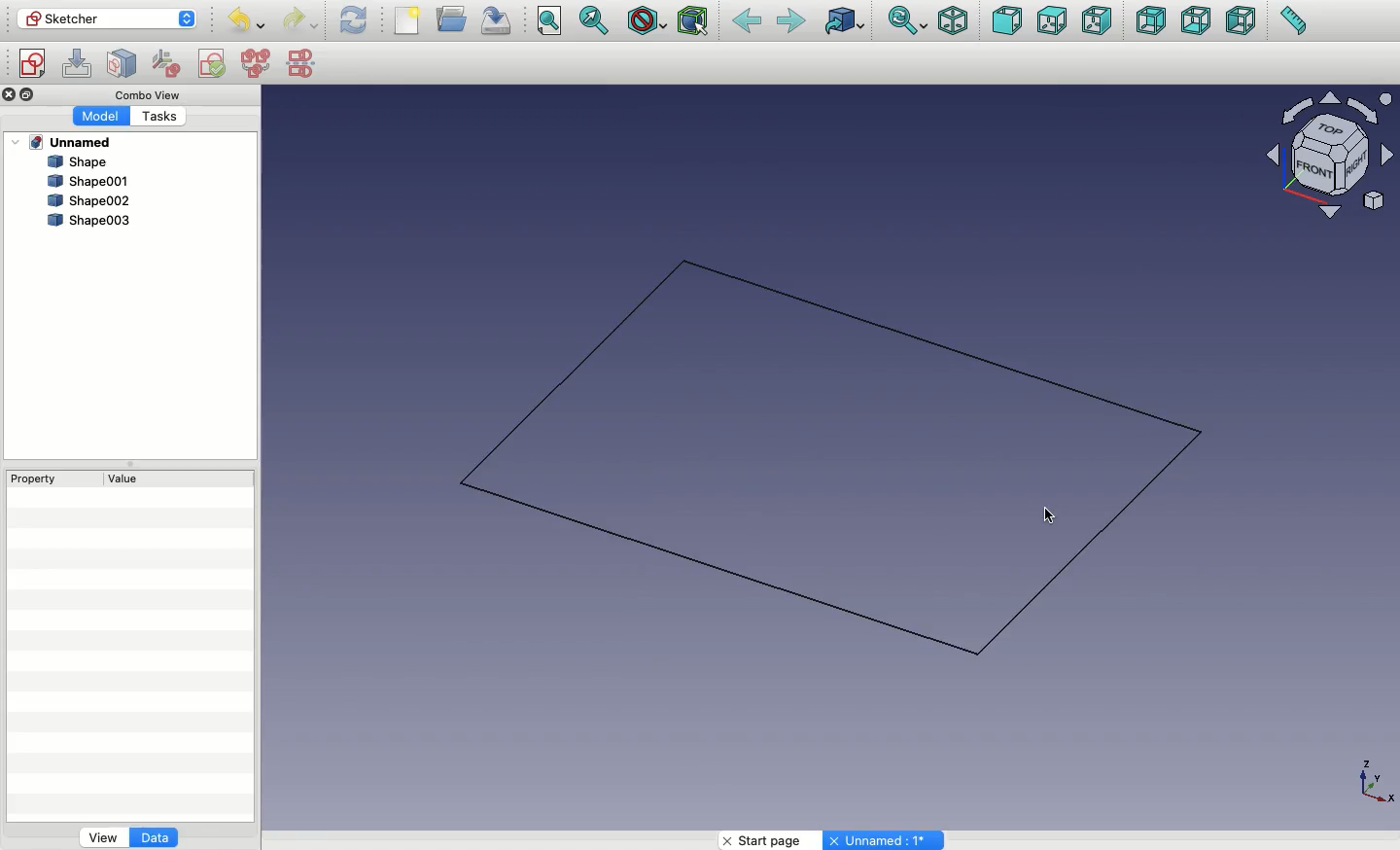  I want to click on Start page, so click(766, 839).